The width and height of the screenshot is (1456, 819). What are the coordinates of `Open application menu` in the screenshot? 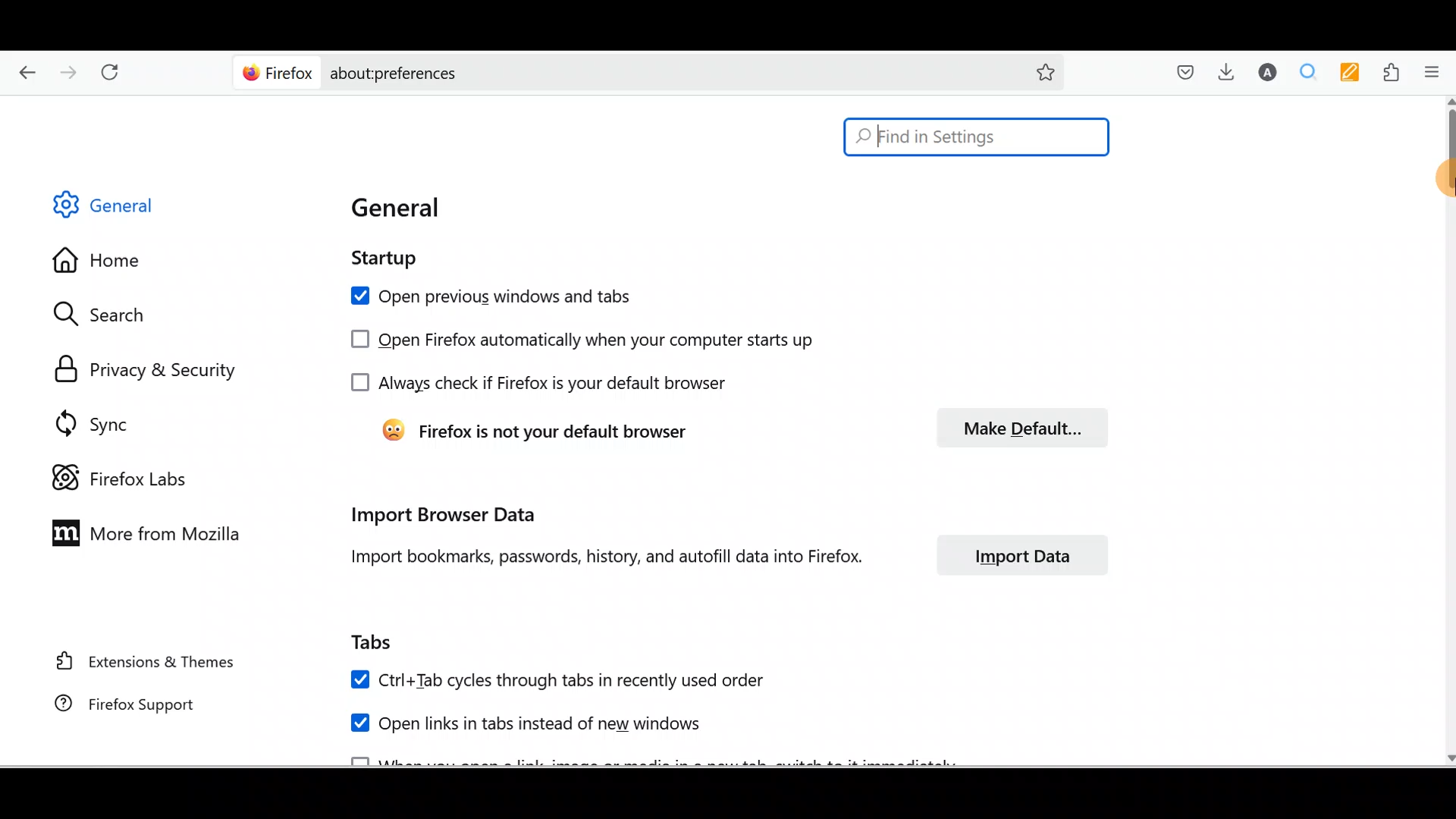 It's located at (1436, 72).